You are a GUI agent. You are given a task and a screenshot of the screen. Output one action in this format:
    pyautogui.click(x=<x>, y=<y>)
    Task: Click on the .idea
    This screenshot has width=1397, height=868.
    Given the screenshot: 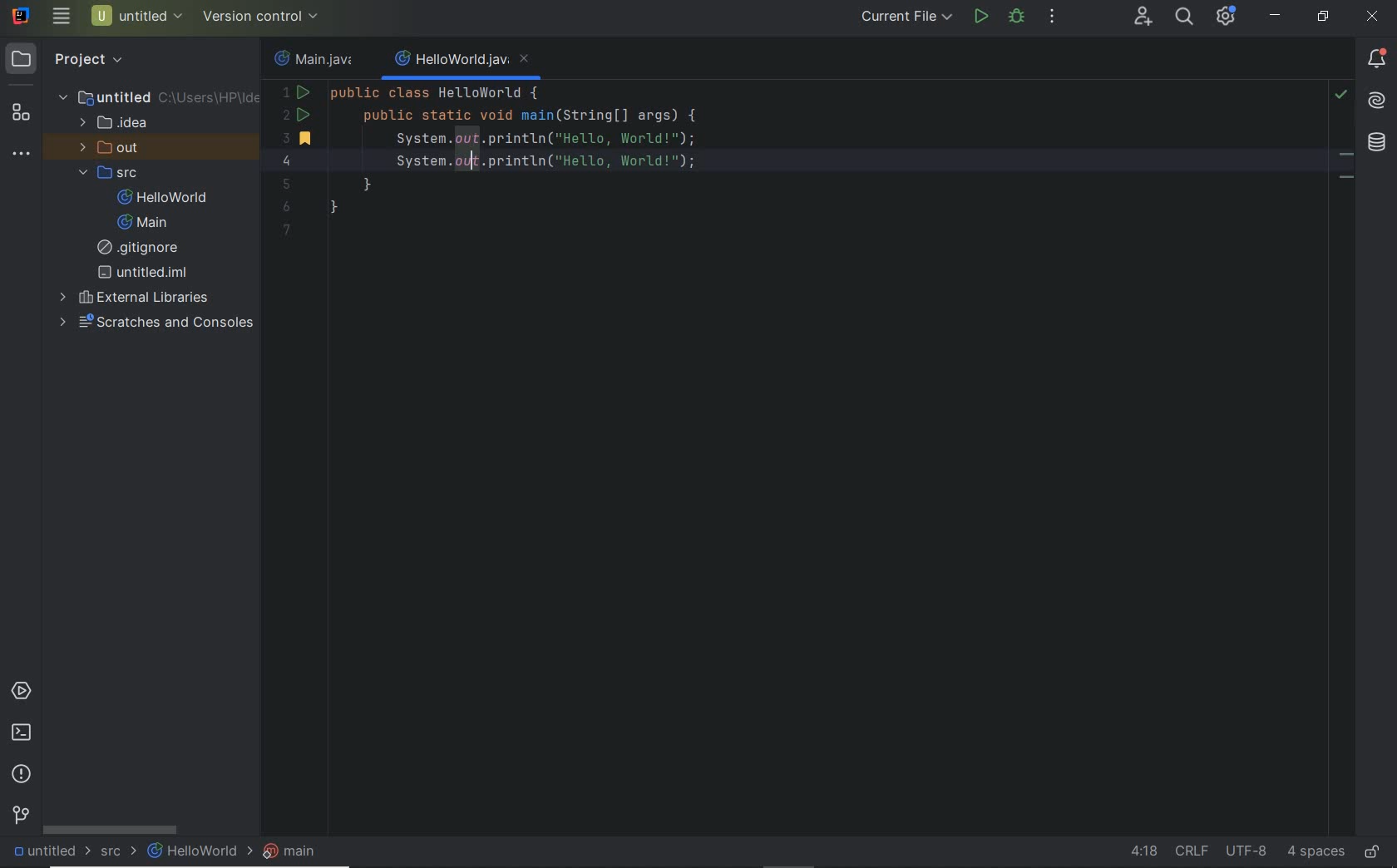 What is the action you would take?
    pyautogui.click(x=115, y=123)
    